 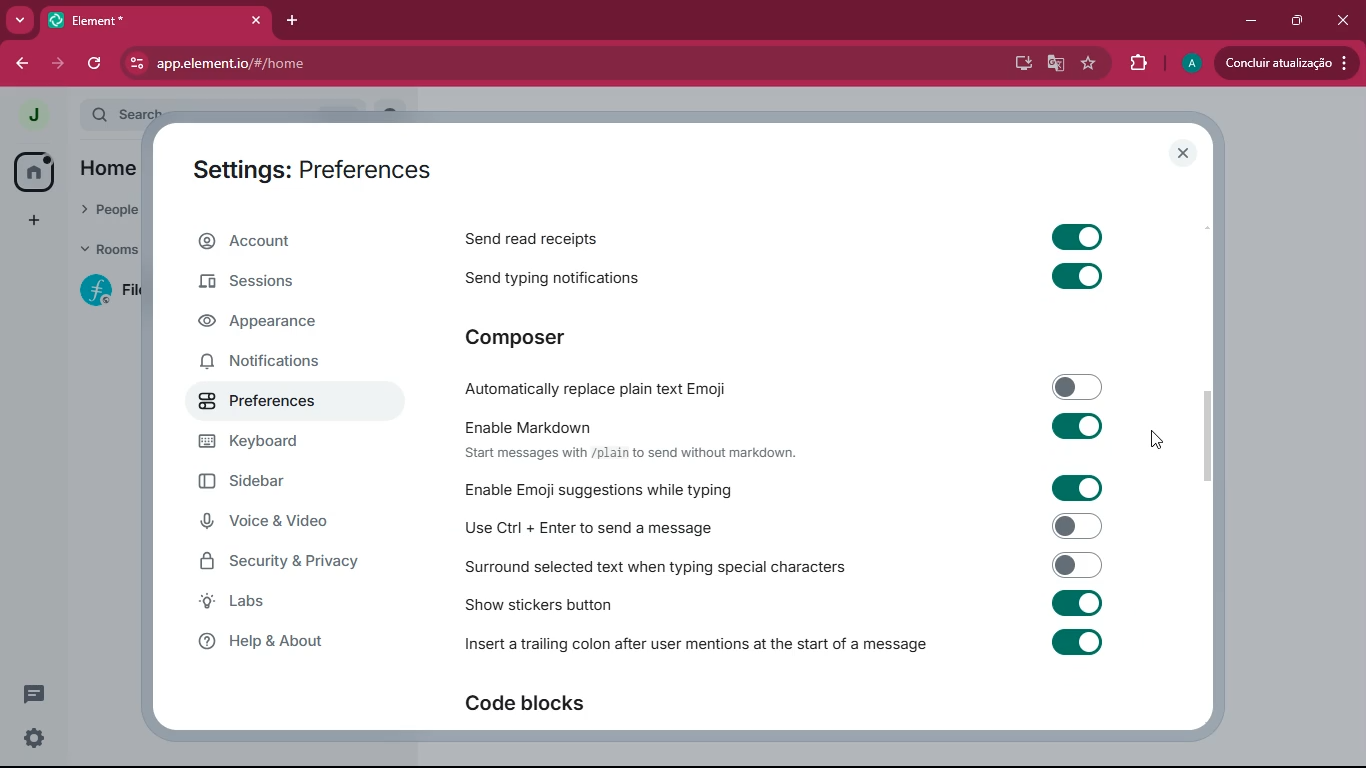 I want to click on toggle on or off, so click(x=1076, y=602).